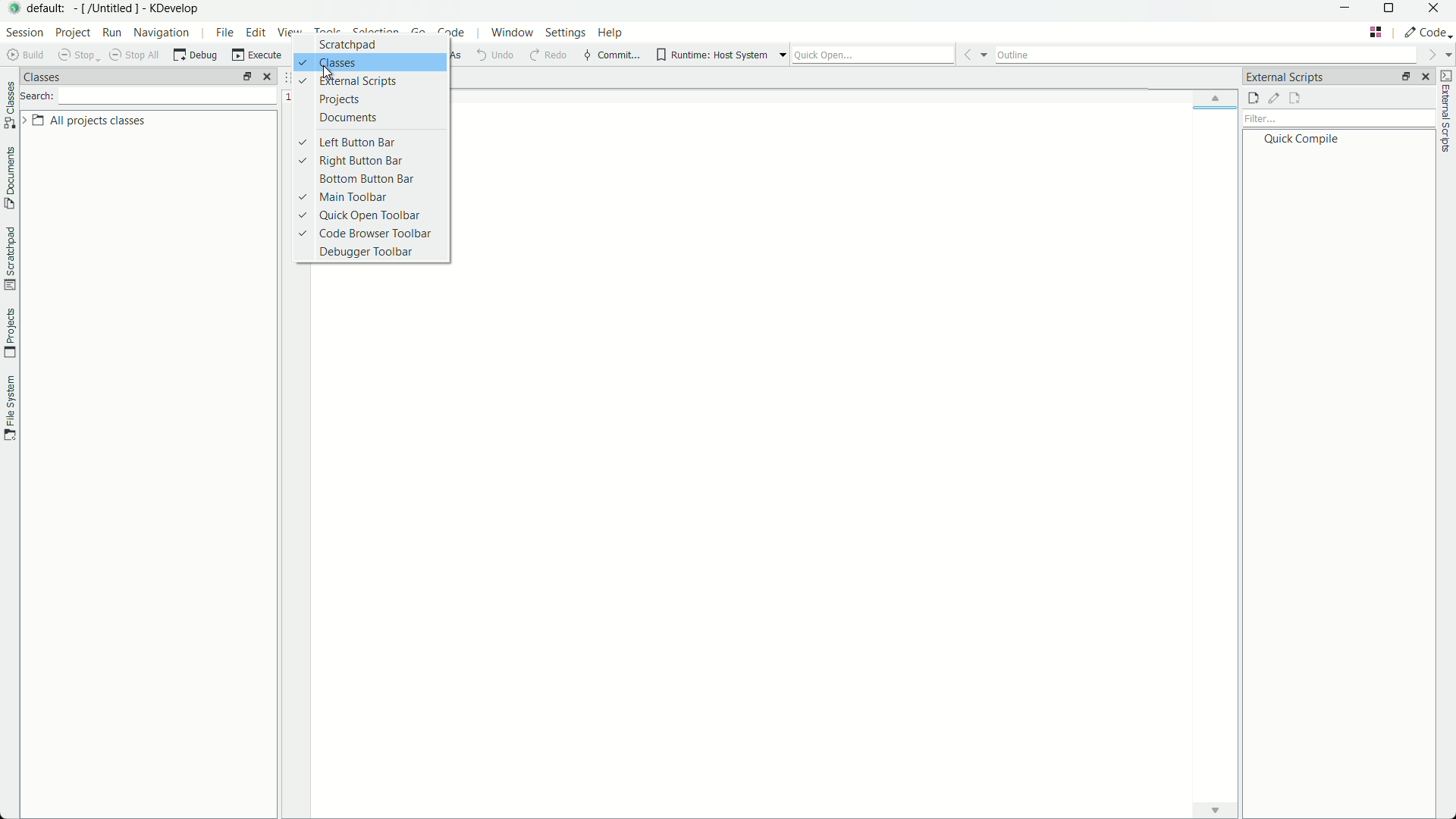 Image resolution: width=1456 pixels, height=819 pixels. Describe the element at coordinates (224, 31) in the screenshot. I see `file menu` at that location.